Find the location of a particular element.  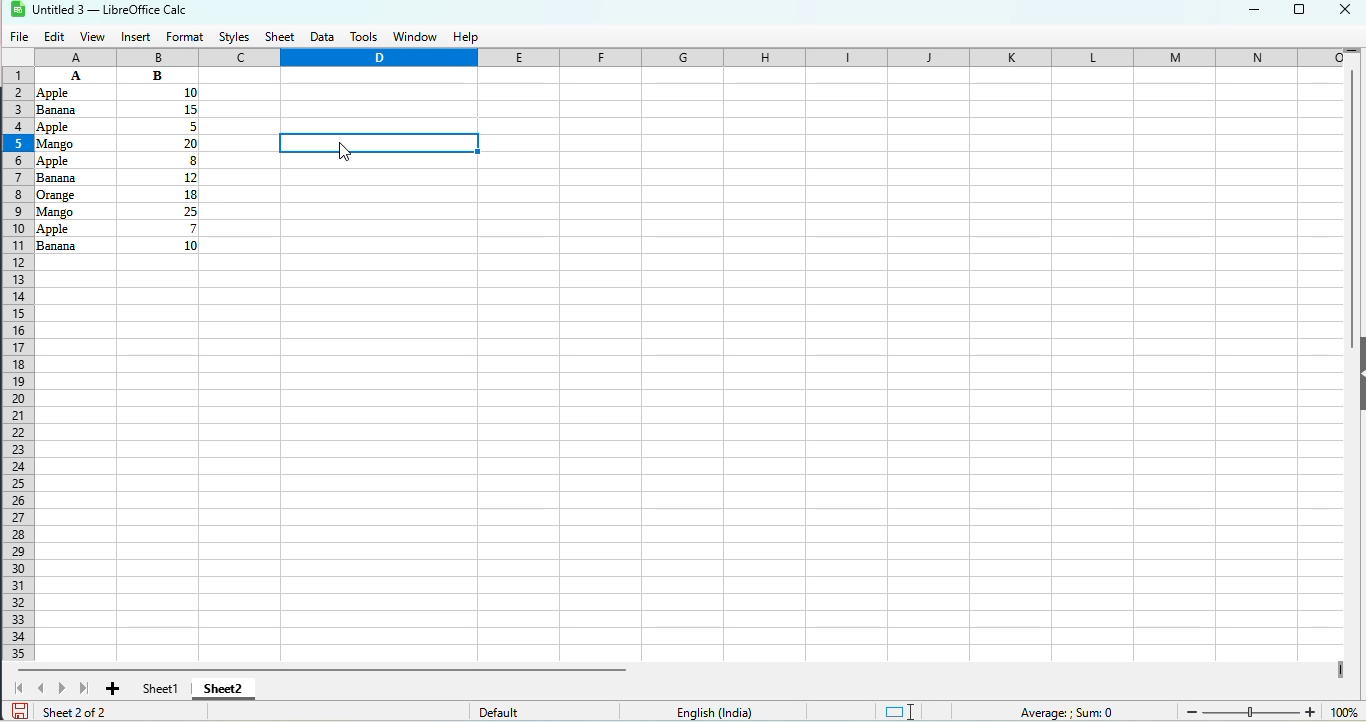

formula is located at coordinates (1066, 712).